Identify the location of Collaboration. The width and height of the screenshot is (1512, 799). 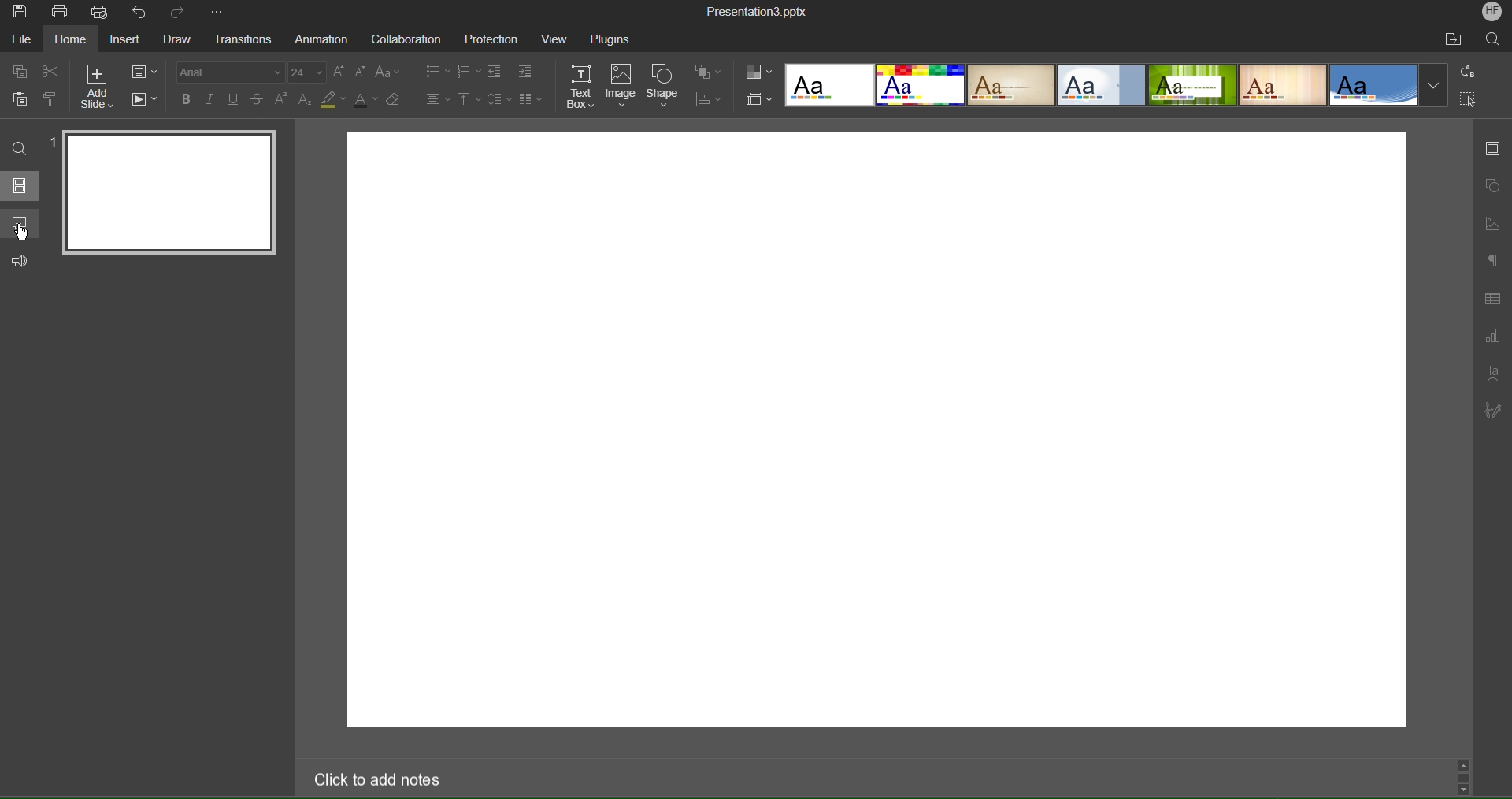
(406, 40).